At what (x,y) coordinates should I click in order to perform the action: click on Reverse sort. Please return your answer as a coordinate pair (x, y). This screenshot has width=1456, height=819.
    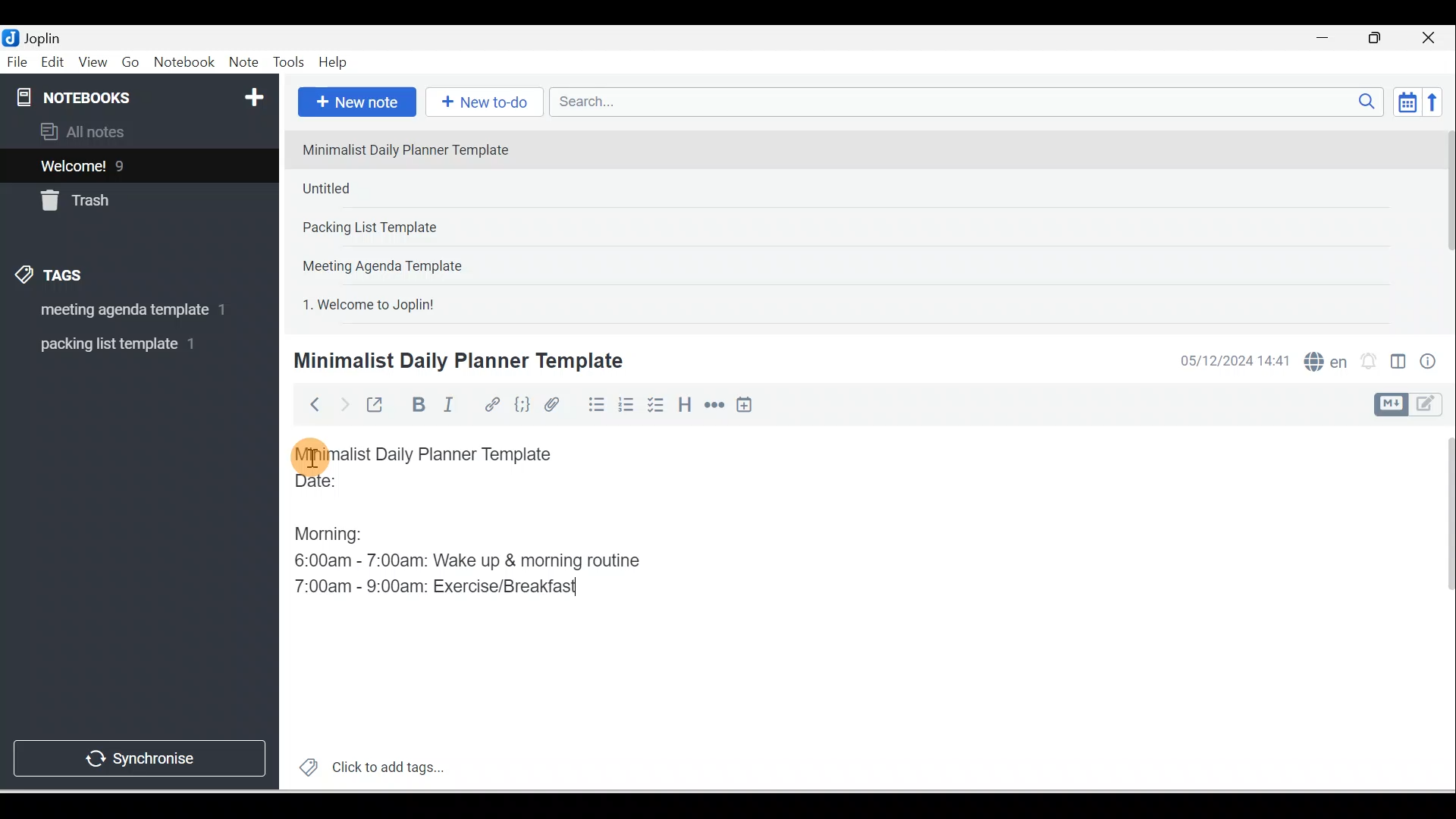
    Looking at the image, I should click on (1437, 102).